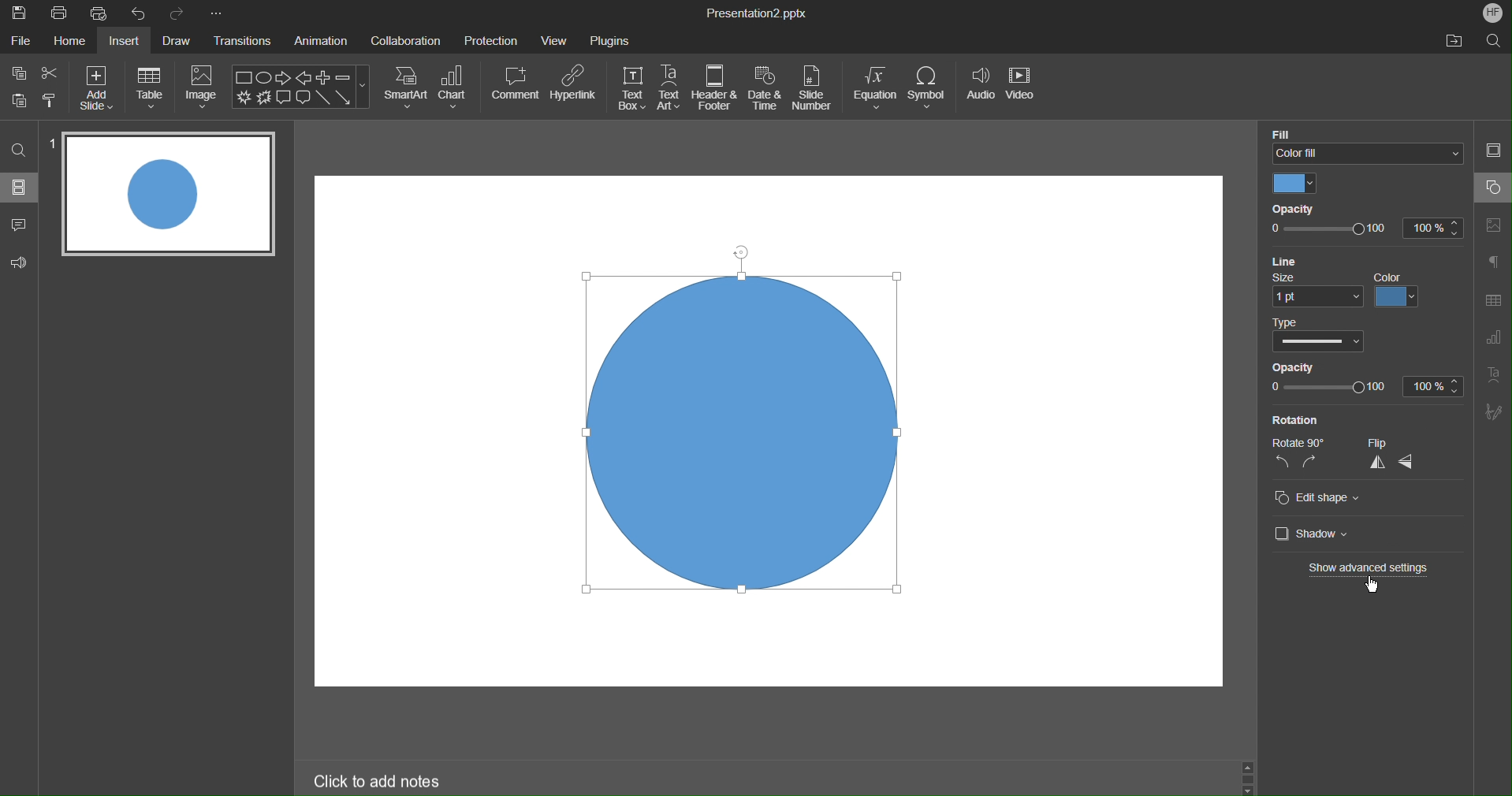 The width and height of the screenshot is (1512, 796). What do you see at coordinates (166, 193) in the screenshot?
I see `Slide 1` at bounding box center [166, 193].